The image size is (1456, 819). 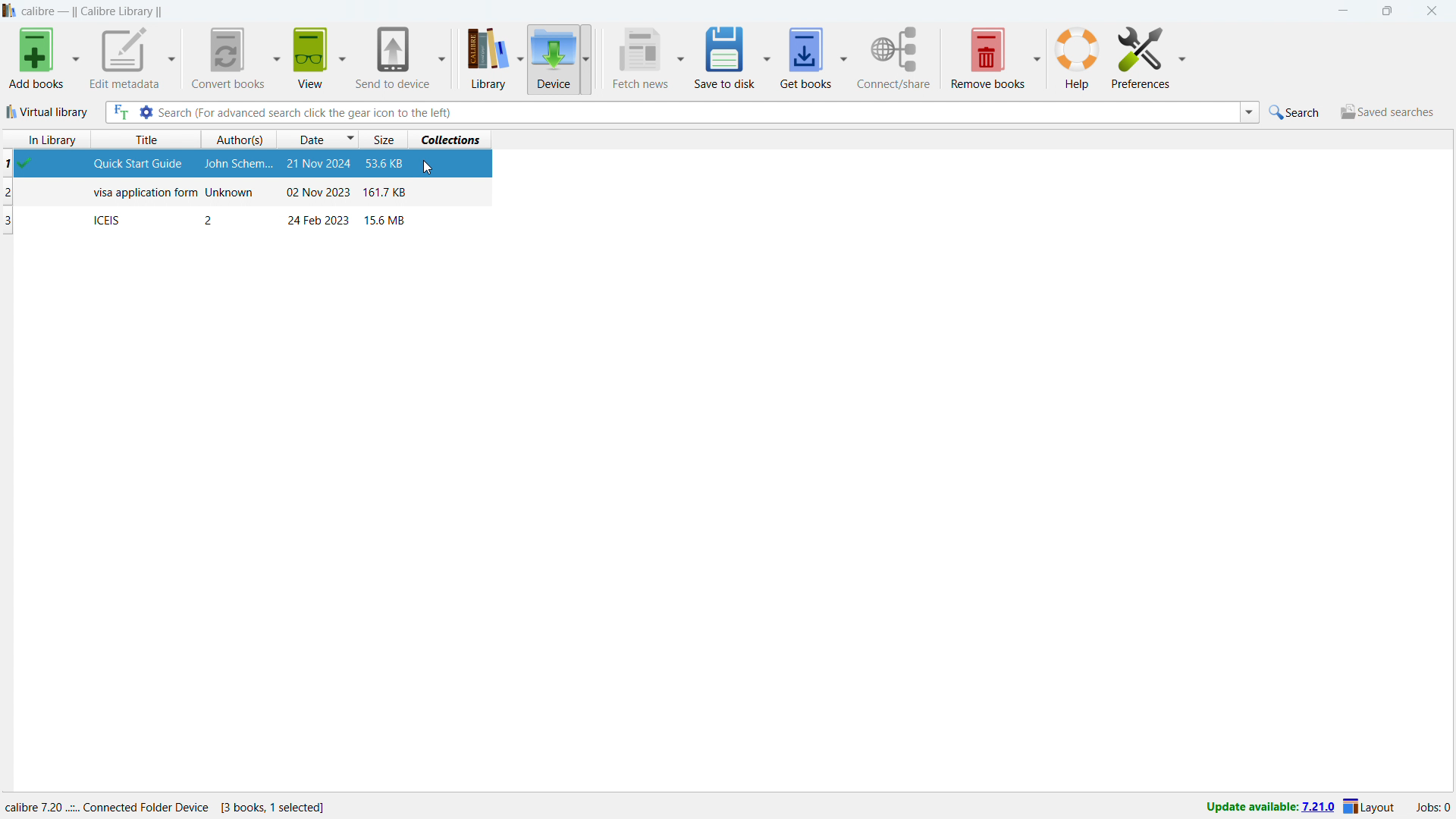 I want to click on sort by title, so click(x=152, y=140).